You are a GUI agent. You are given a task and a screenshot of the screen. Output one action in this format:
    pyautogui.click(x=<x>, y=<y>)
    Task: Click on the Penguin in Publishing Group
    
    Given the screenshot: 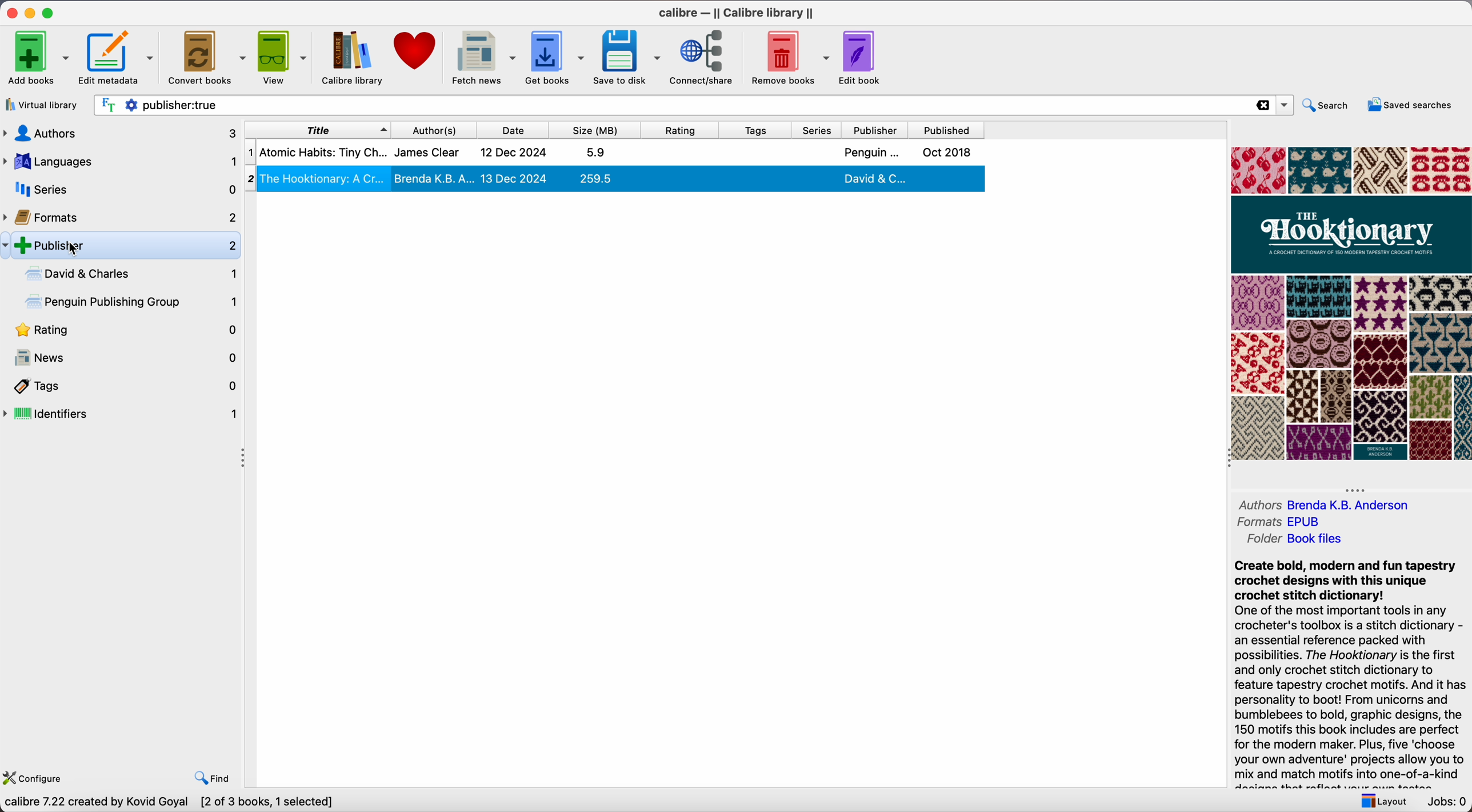 What is the action you would take?
    pyautogui.click(x=133, y=303)
    